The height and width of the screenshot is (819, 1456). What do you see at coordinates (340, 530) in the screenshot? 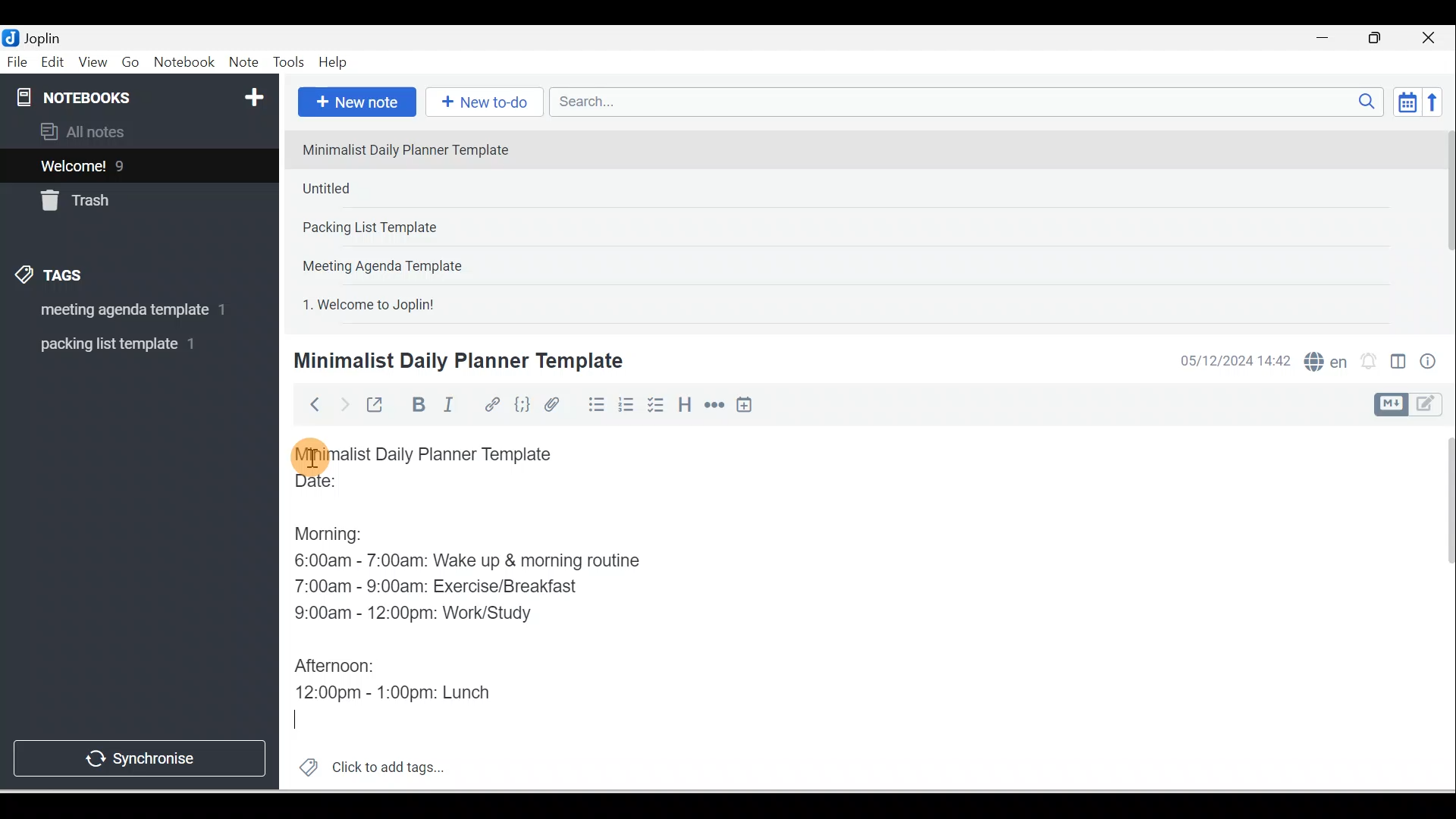
I see `Morning:` at bounding box center [340, 530].